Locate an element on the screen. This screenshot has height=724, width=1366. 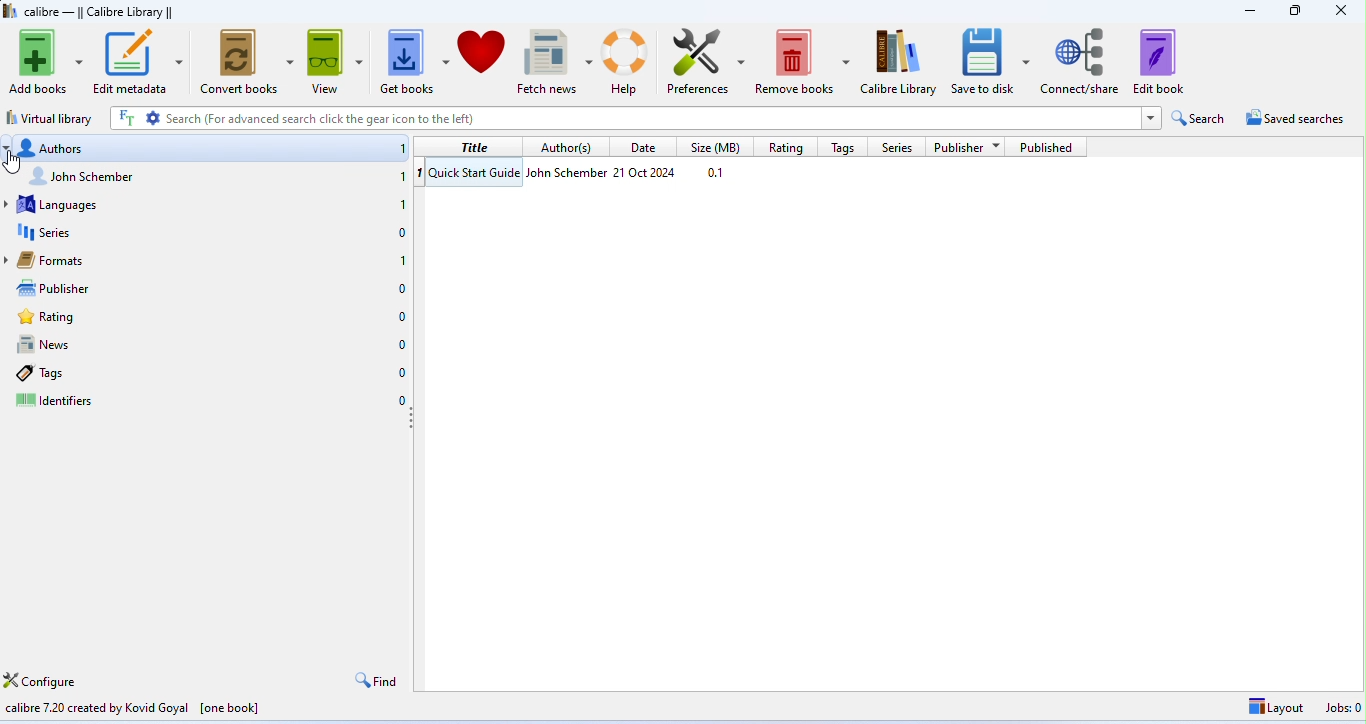
view is located at coordinates (336, 61).